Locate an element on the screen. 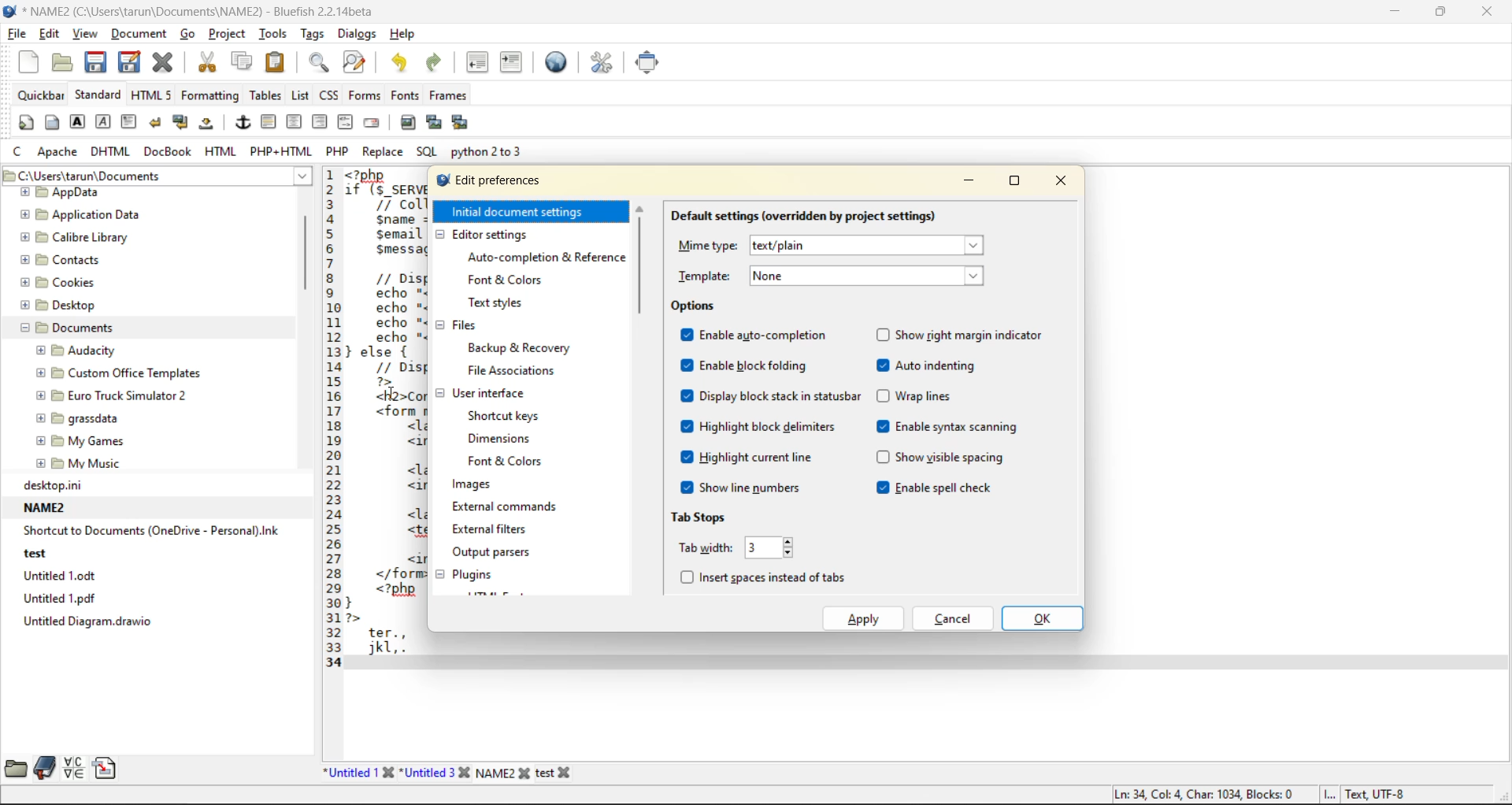  file path is located at coordinates (156, 176).